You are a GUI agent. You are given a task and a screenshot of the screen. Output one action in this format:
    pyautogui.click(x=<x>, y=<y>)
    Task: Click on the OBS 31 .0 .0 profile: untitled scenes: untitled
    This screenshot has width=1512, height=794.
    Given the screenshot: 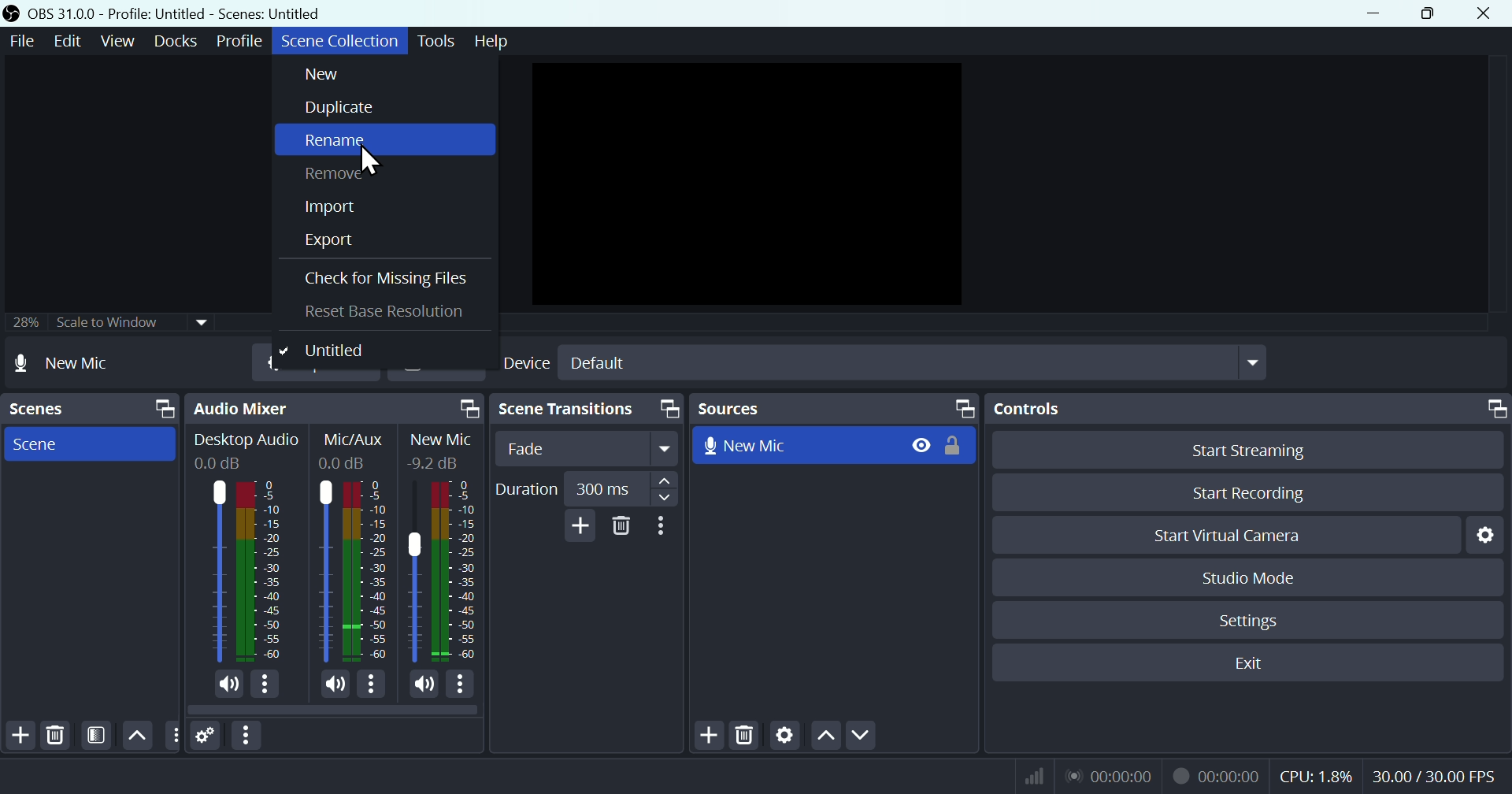 What is the action you would take?
    pyautogui.click(x=205, y=14)
    